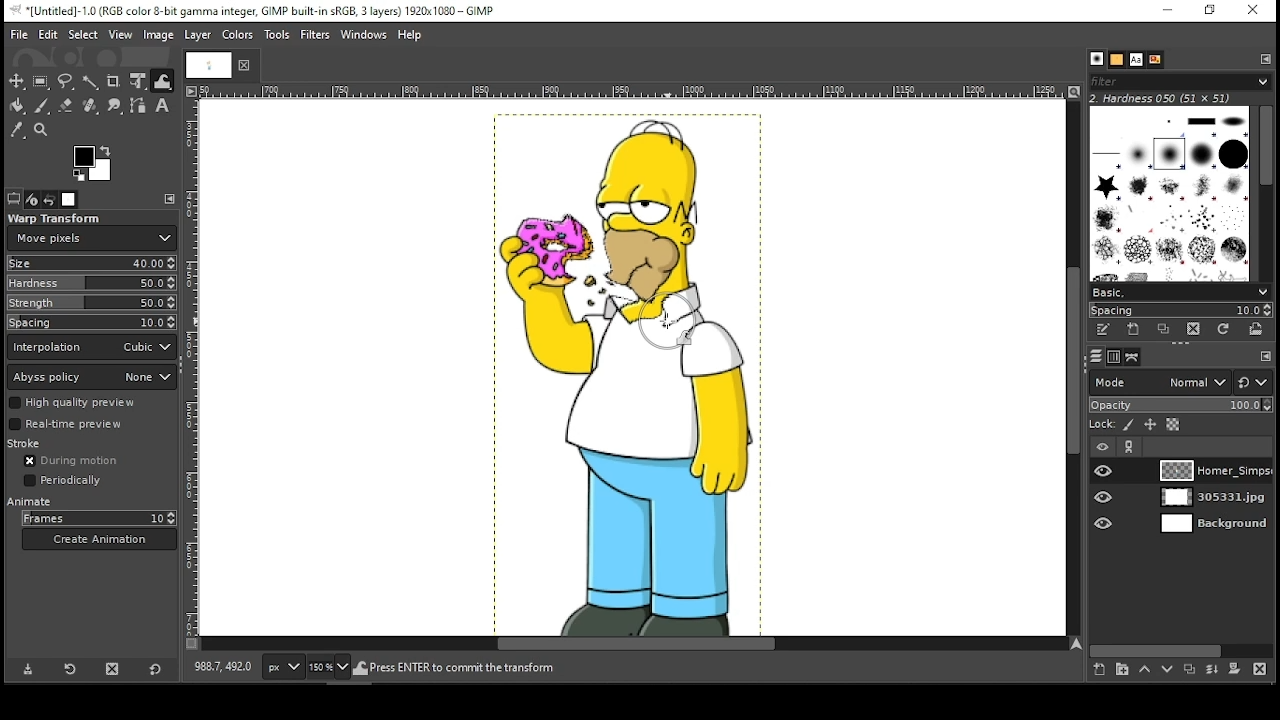 The height and width of the screenshot is (720, 1280). Describe the element at coordinates (1167, 672) in the screenshot. I see `move layer one step down` at that location.